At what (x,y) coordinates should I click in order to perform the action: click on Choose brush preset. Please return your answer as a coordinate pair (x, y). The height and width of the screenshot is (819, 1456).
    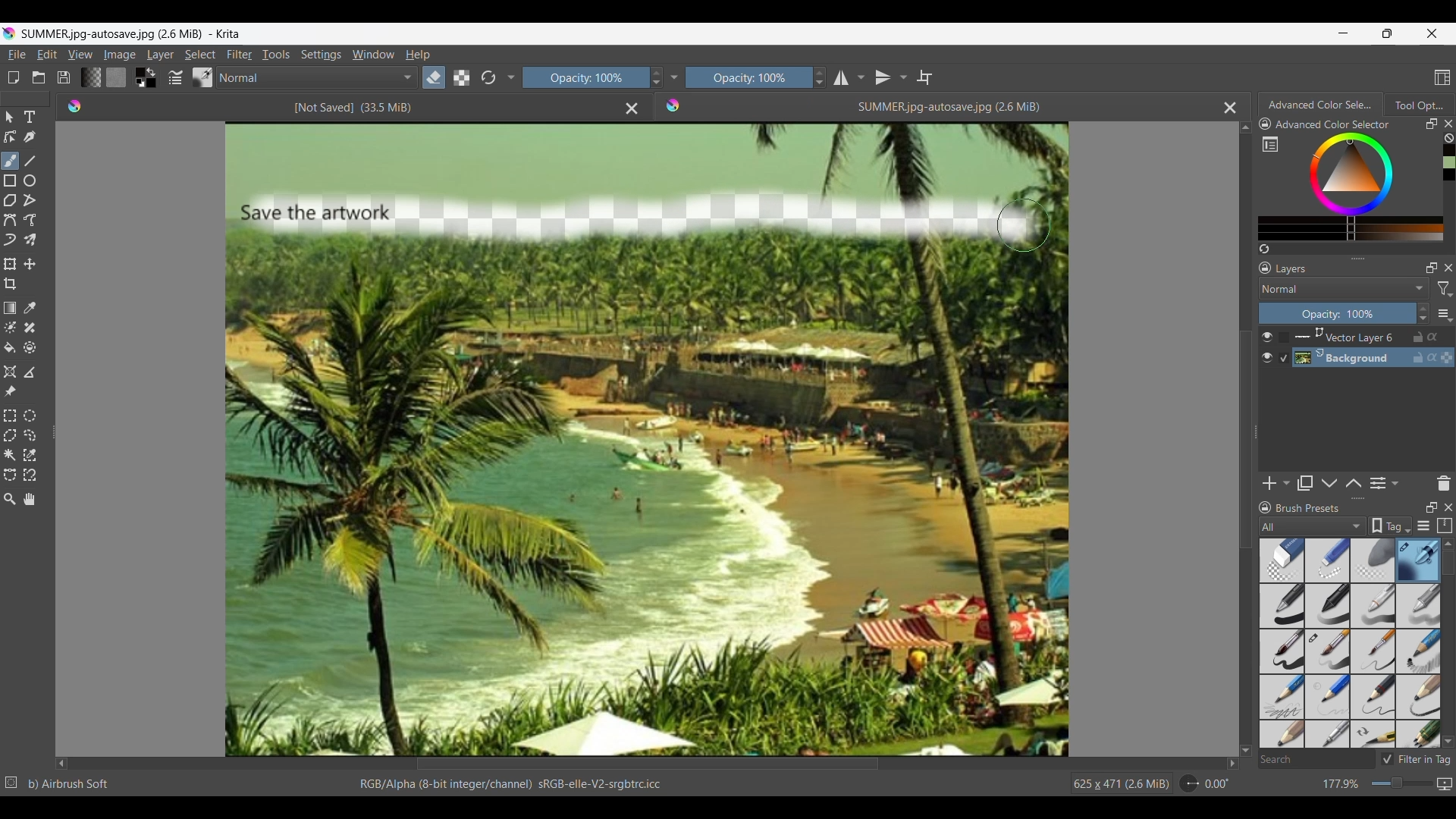
    Looking at the image, I should click on (203, 77).